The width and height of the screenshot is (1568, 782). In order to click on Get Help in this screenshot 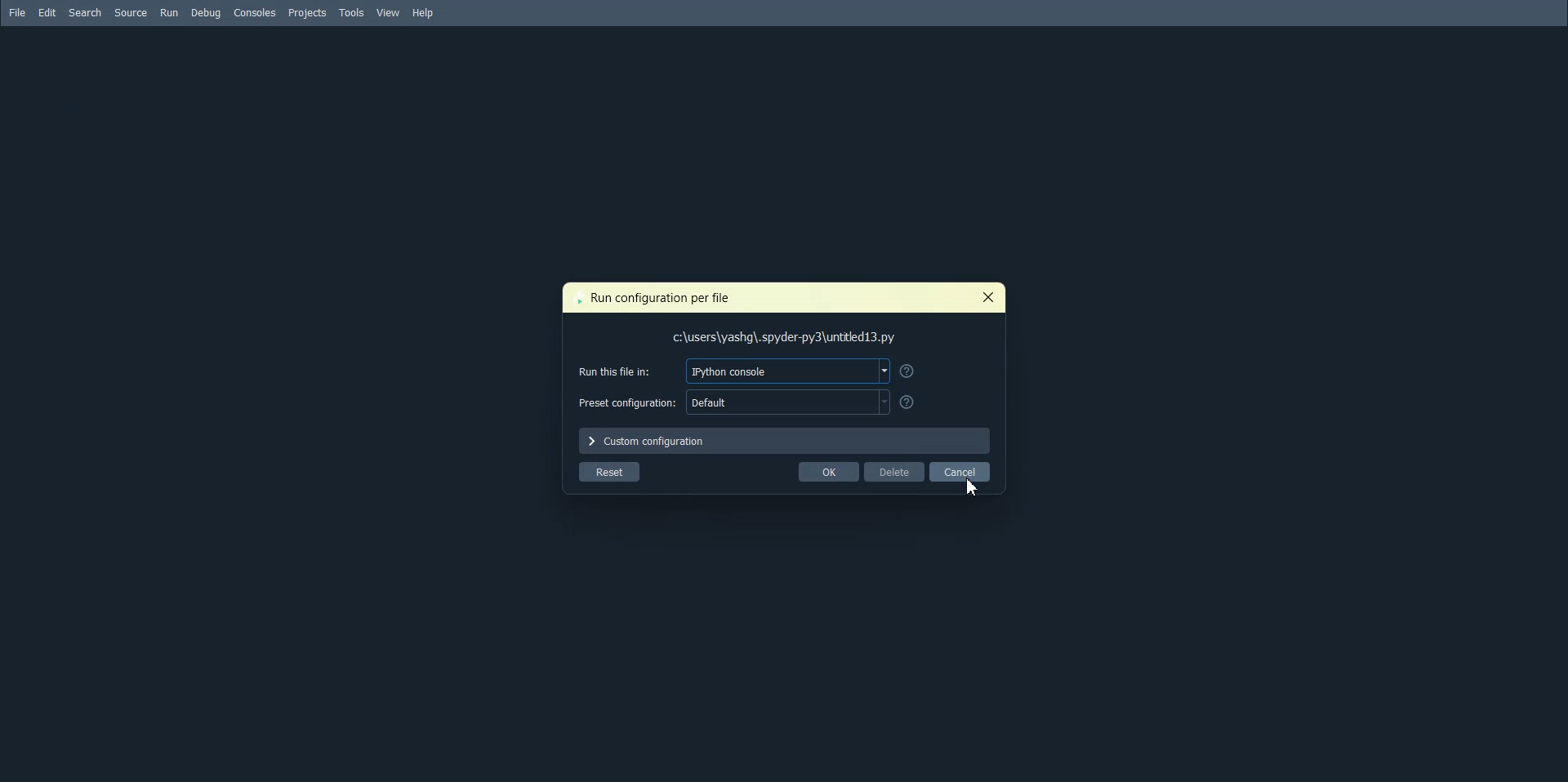, I will do `click(908, 402)`.